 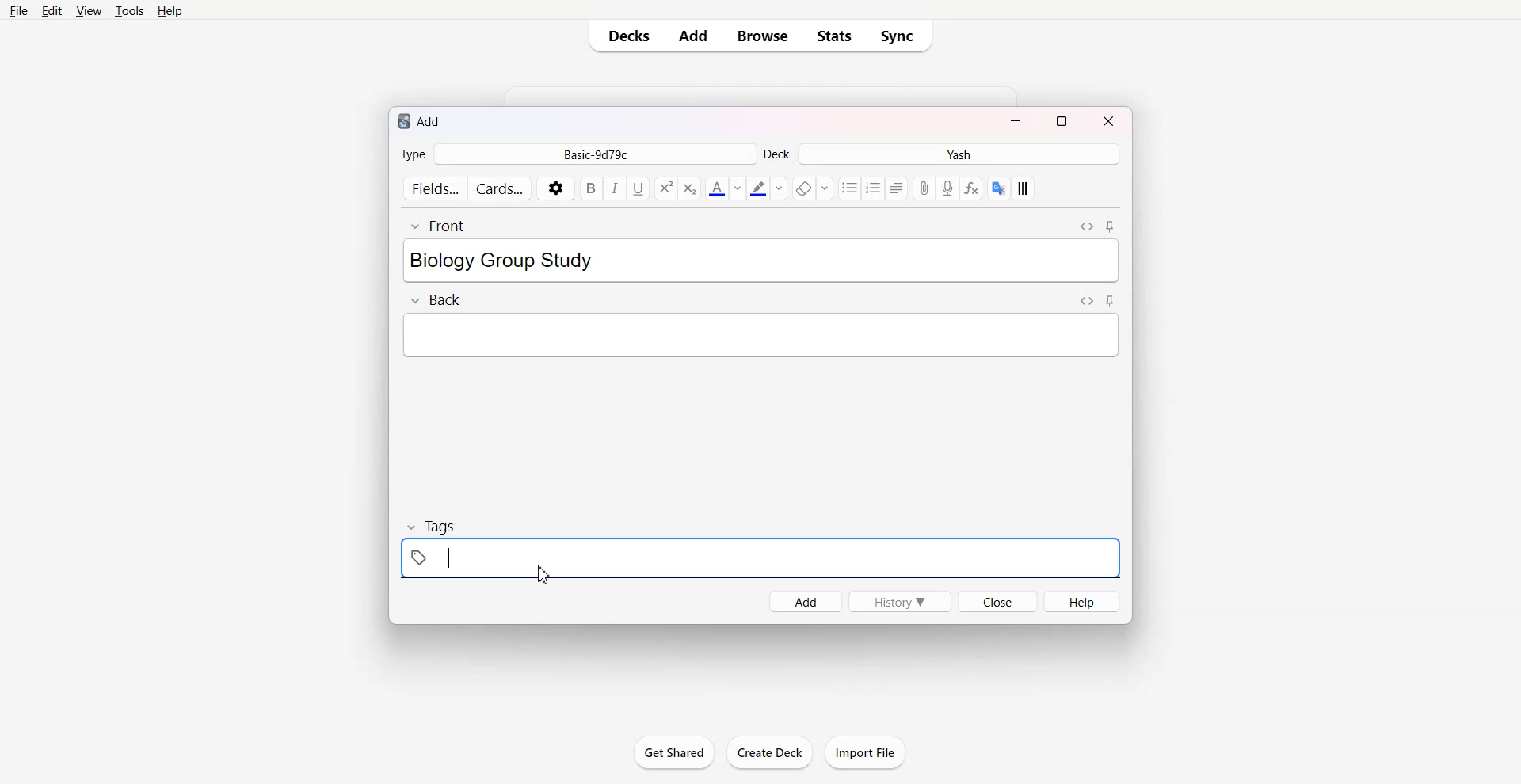 What do you see at coordinates (556, 188) in the screenshot?
I see `Settings` at bounding box center [556, 188].